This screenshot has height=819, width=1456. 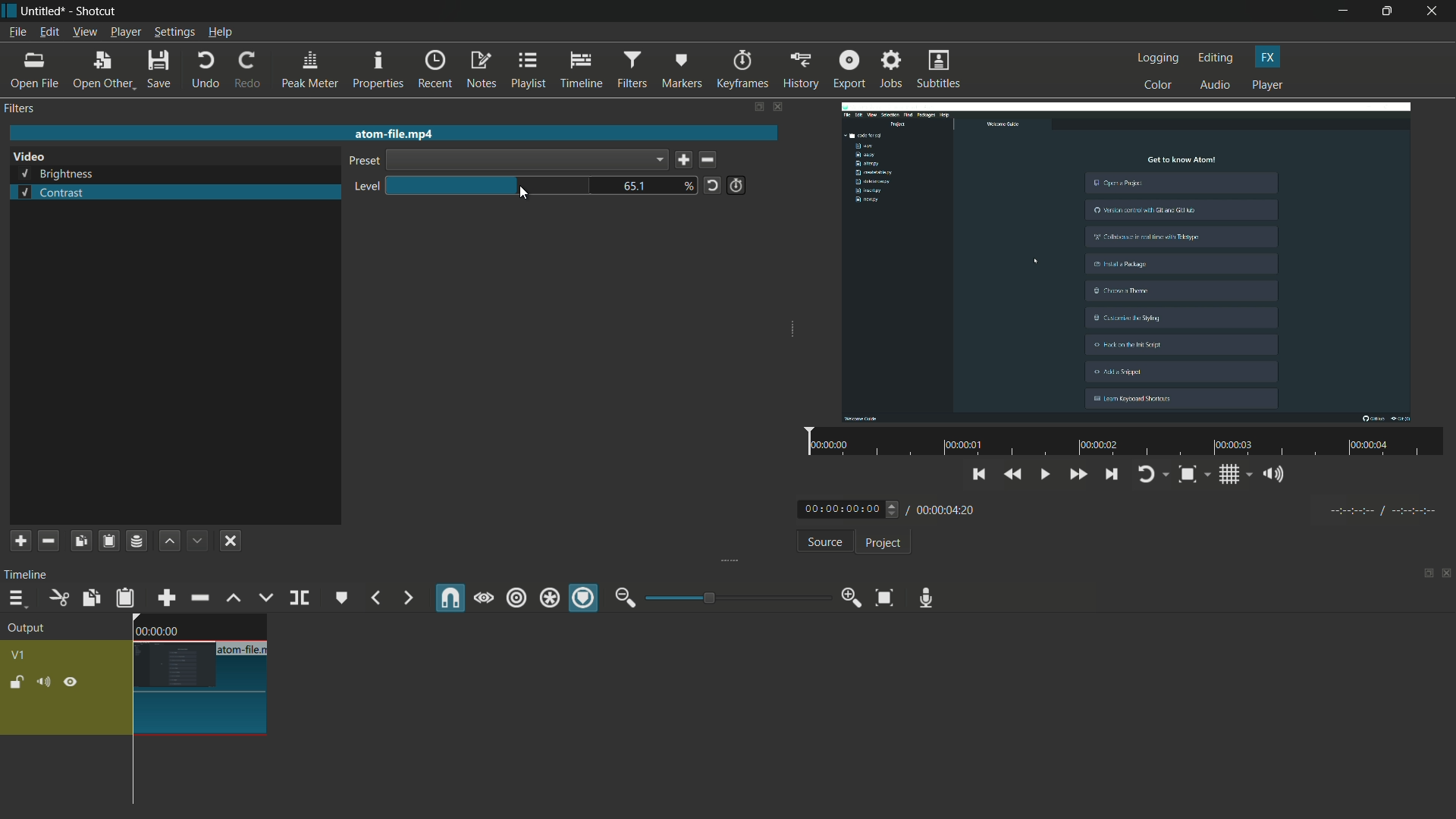 I want to click on audio, so click(x=1216, y=86).